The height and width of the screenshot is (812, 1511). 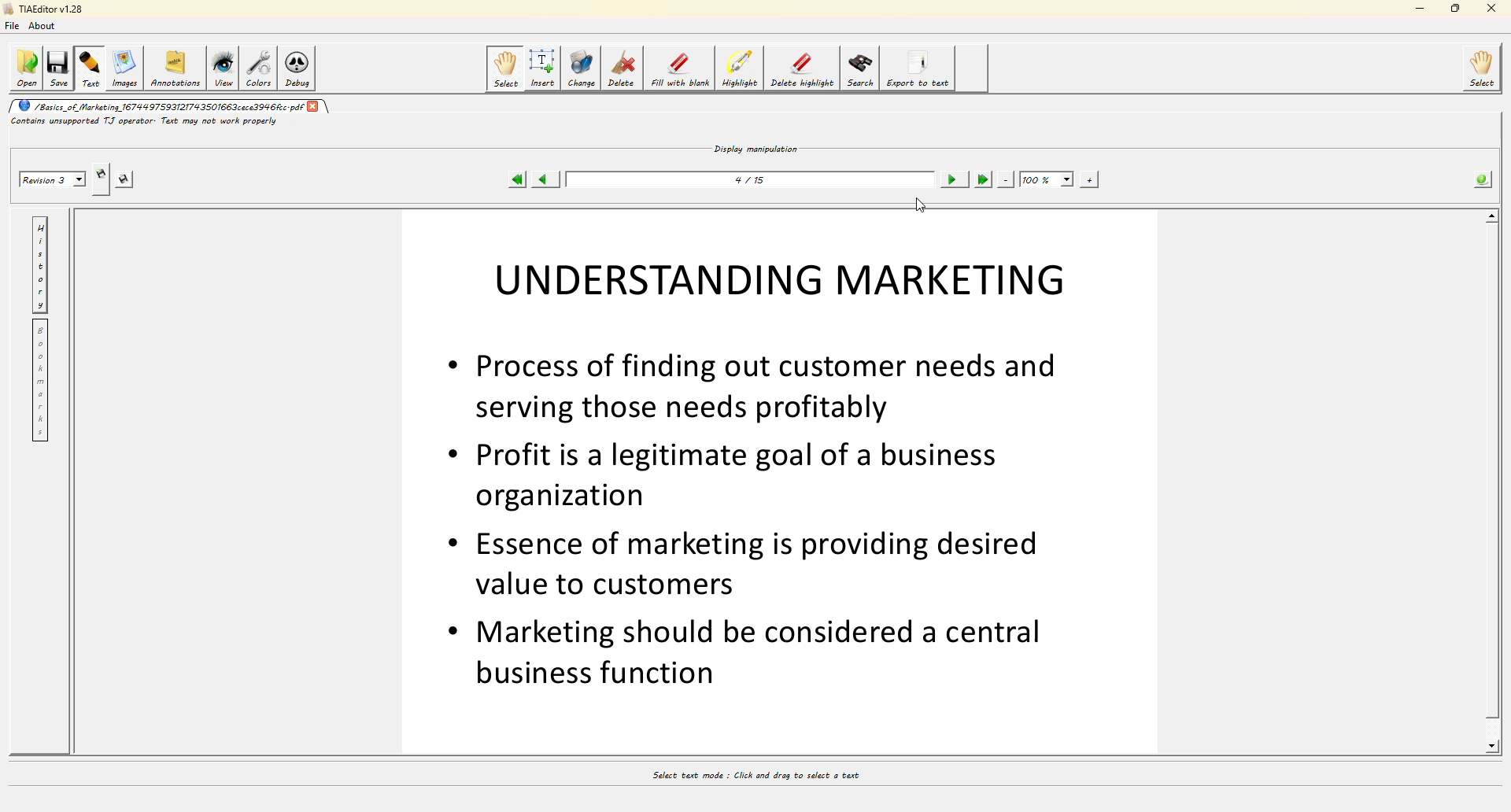 What do you see at coordinates (43, 27) in the screenshot?
I see `about` at bounding box center [43, 27].